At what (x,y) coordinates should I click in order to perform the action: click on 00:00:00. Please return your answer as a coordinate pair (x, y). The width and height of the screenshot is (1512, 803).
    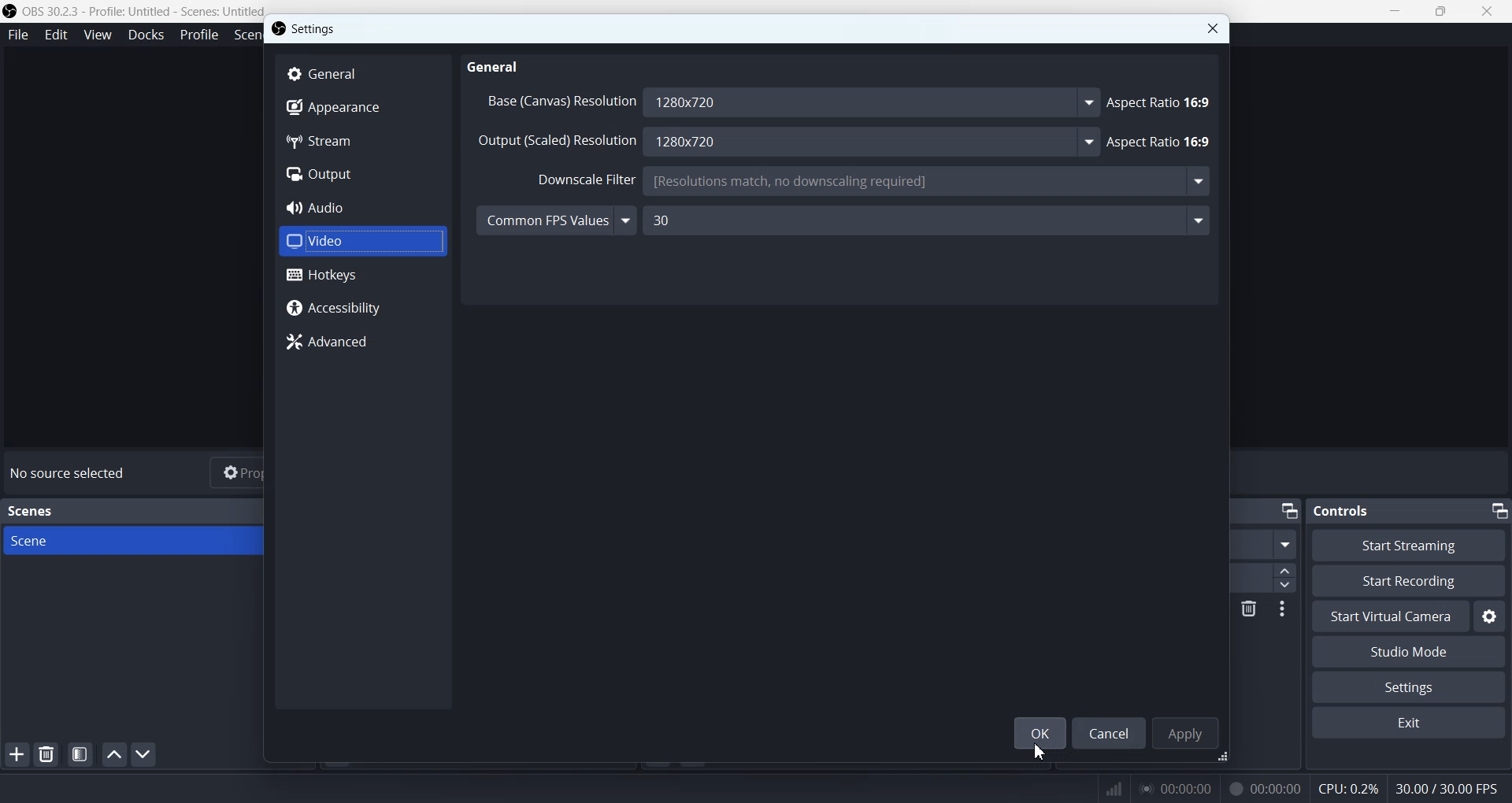
    Looking at the image, I should click on (1177, 787).